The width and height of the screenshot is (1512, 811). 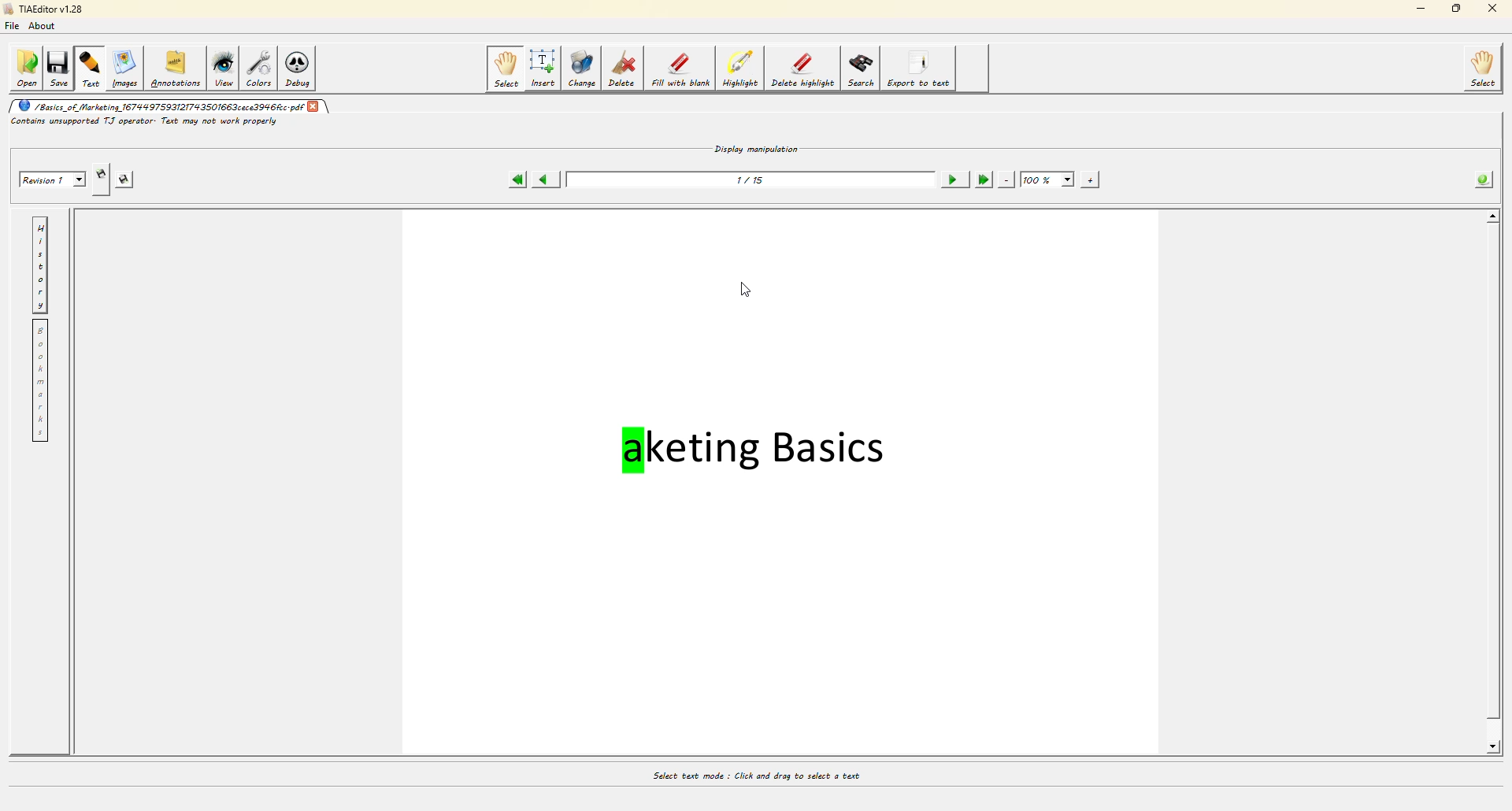 I want to click on selected text is highlighted, so click(x=495, y=461).